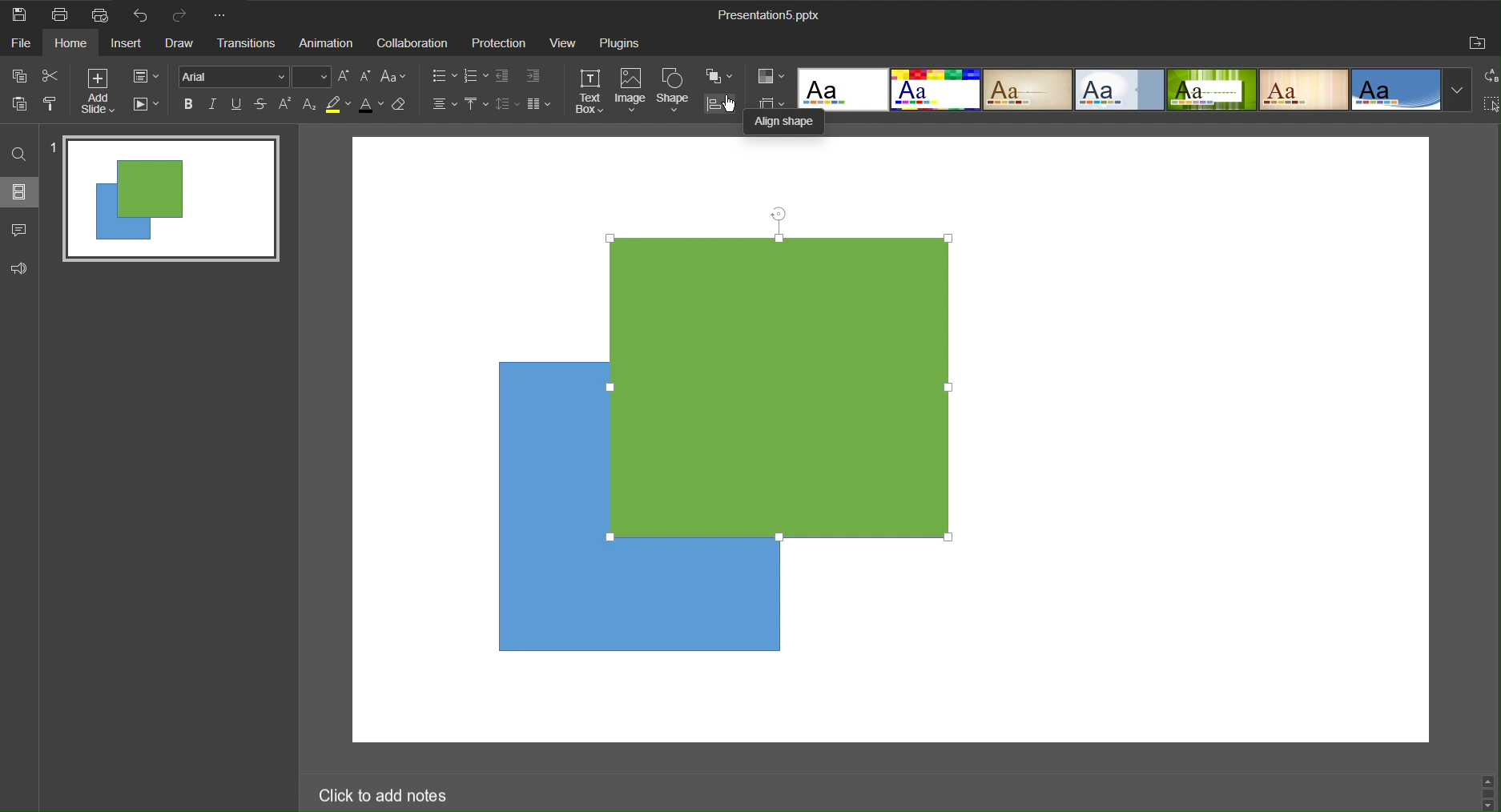  I want to click on Print, so click(63, 14).